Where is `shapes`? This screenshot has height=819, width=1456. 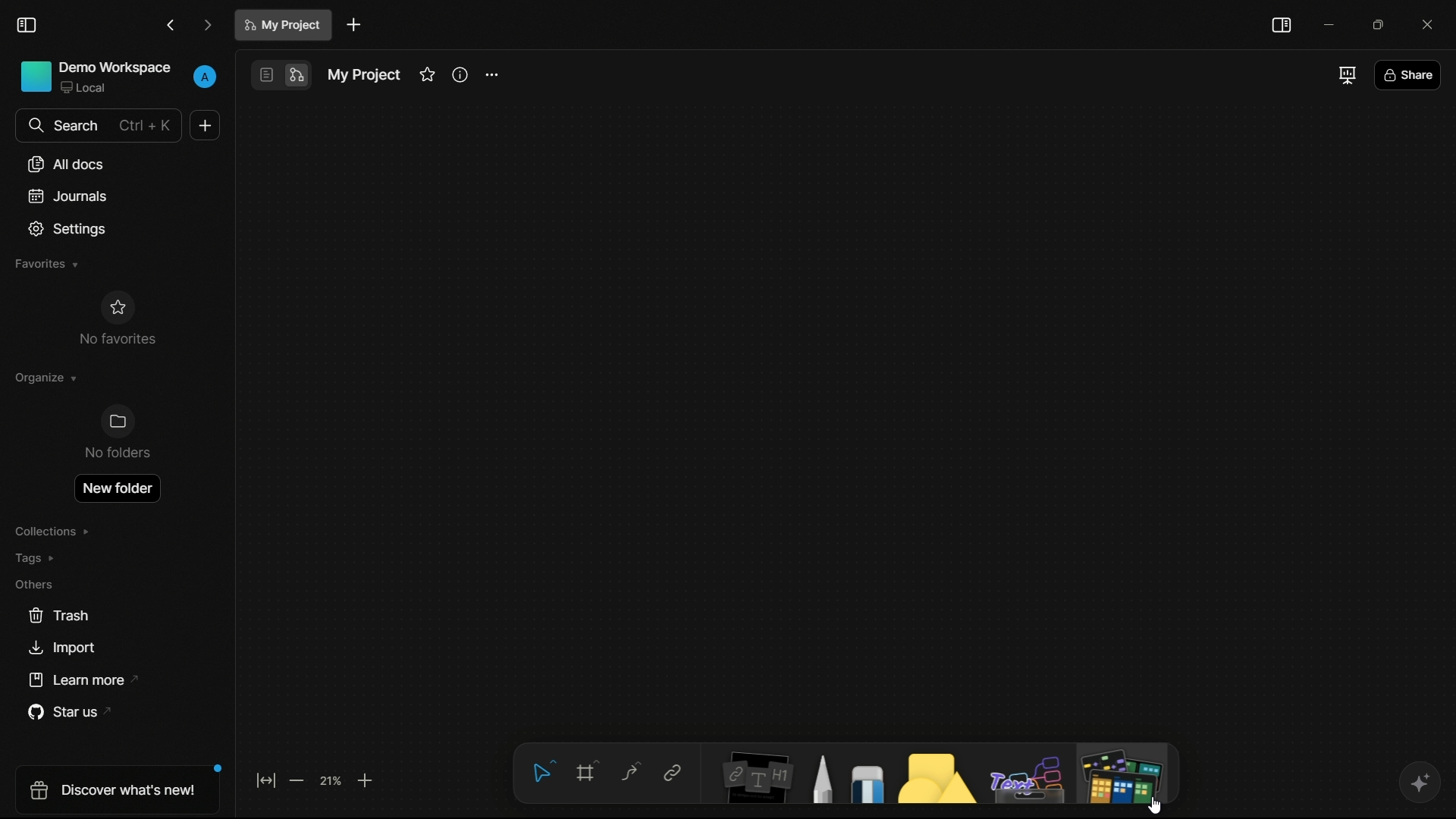 shapes is located at coordinates (939, 780).